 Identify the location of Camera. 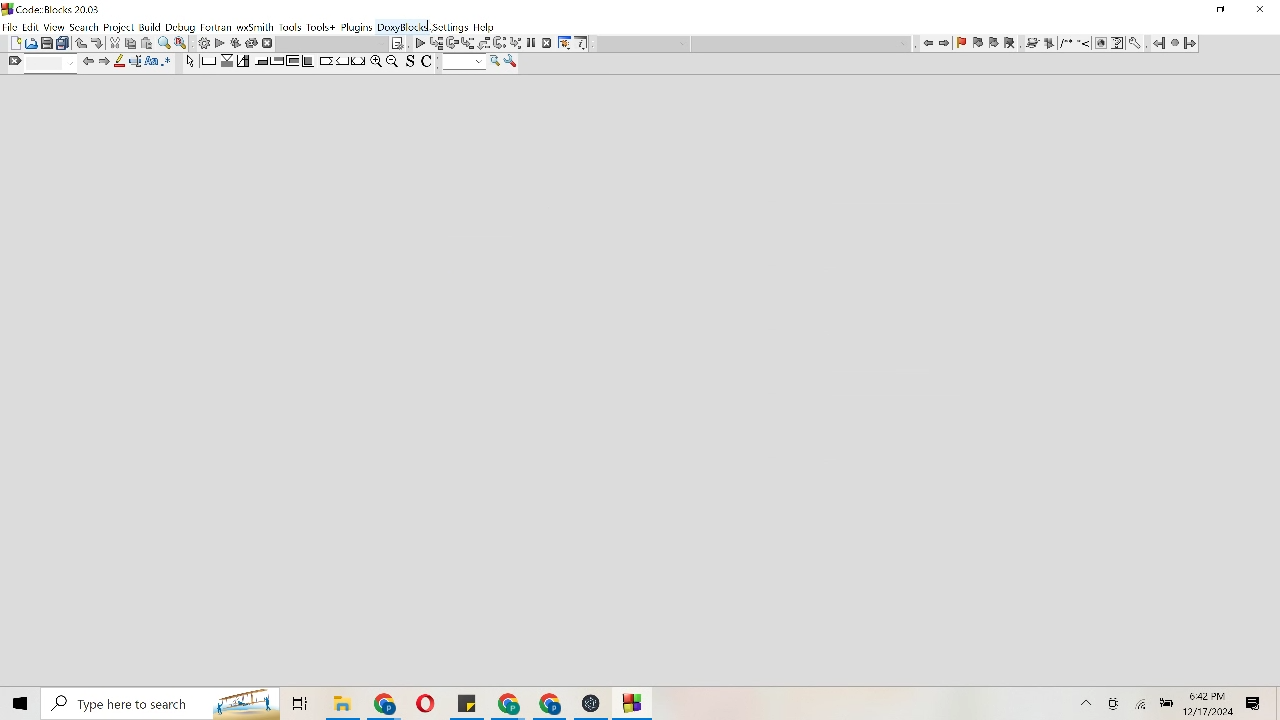
(1116, 703).